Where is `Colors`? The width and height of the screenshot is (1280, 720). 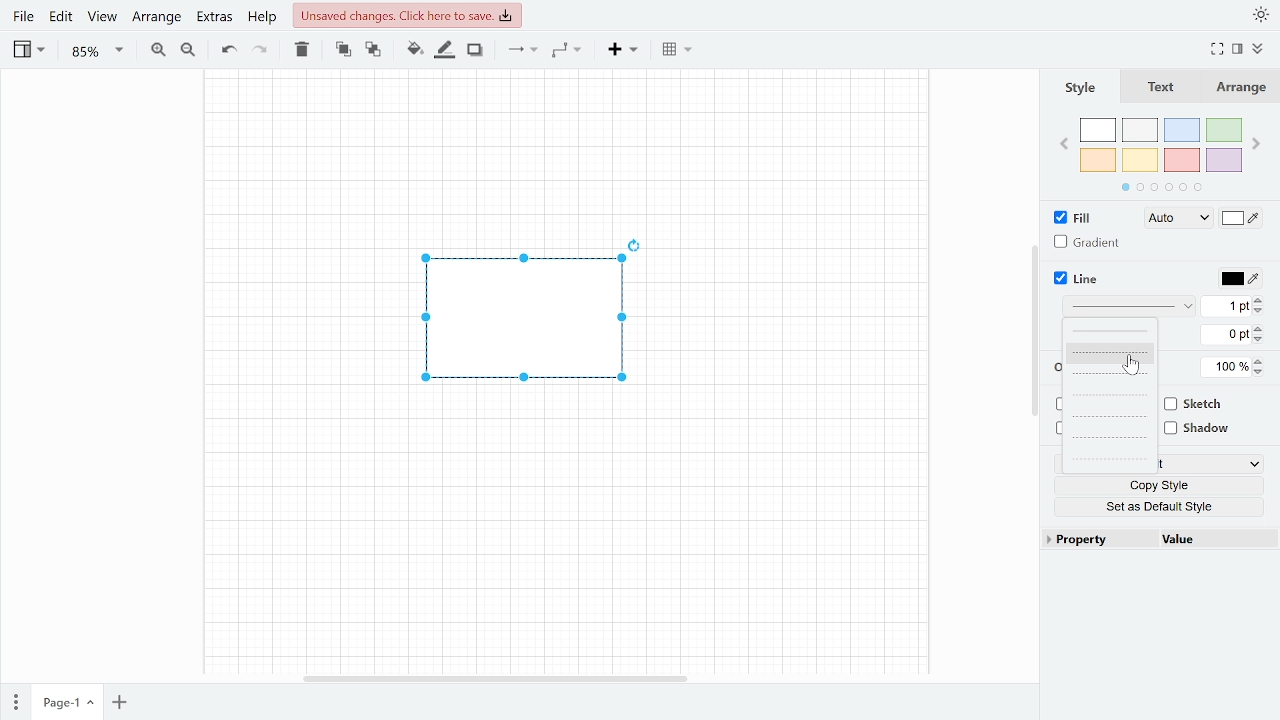
Colors is located at coordinates (1164, 156).